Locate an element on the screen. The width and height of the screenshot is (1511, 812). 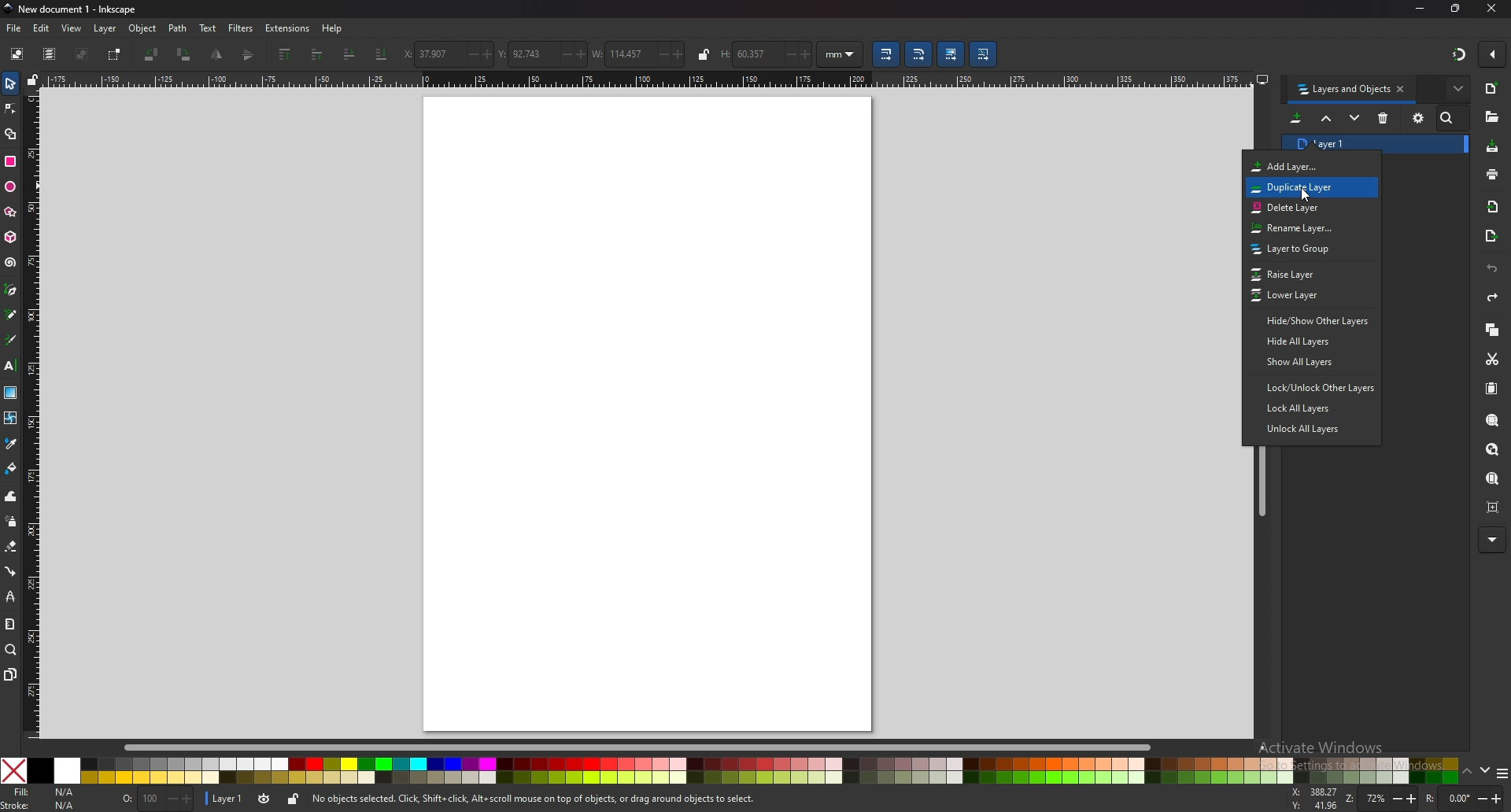
flip horizontally is located at coordinates (249, 55).